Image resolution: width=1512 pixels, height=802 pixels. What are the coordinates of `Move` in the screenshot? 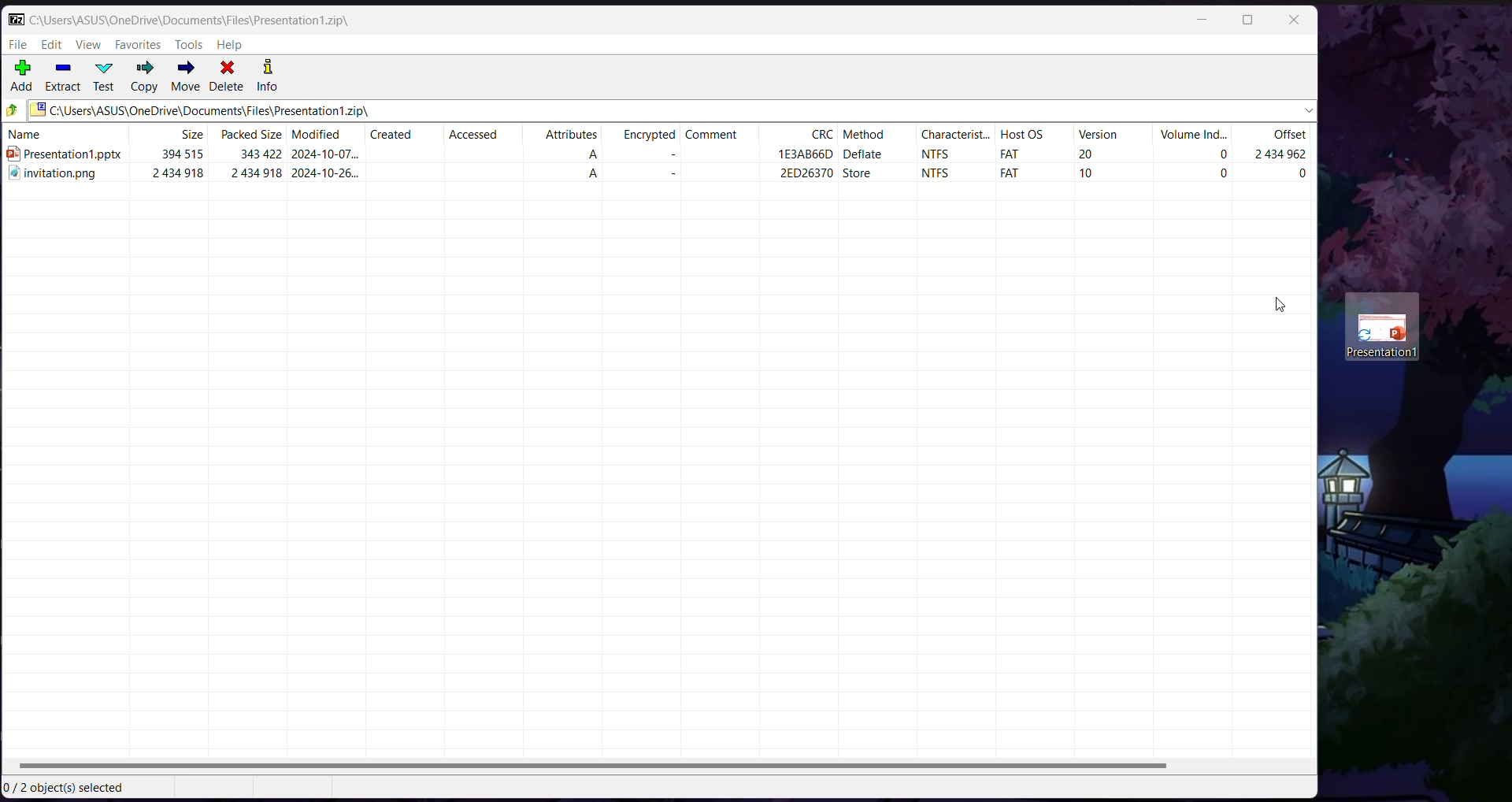 It's located at (186, 76).